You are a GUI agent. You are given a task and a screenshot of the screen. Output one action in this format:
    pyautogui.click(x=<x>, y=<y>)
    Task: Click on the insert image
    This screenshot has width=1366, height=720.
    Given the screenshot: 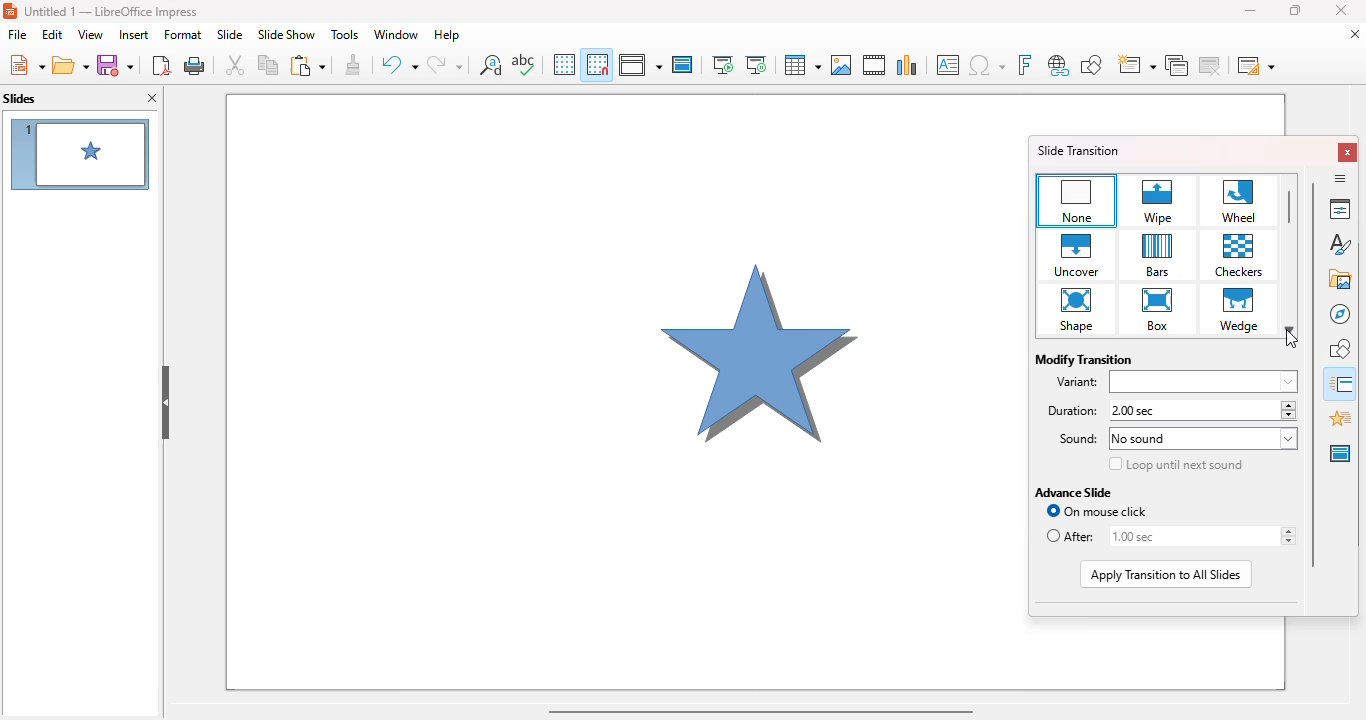 What is the action you would take?
    pyautogui.click(x=843, y=65)
    